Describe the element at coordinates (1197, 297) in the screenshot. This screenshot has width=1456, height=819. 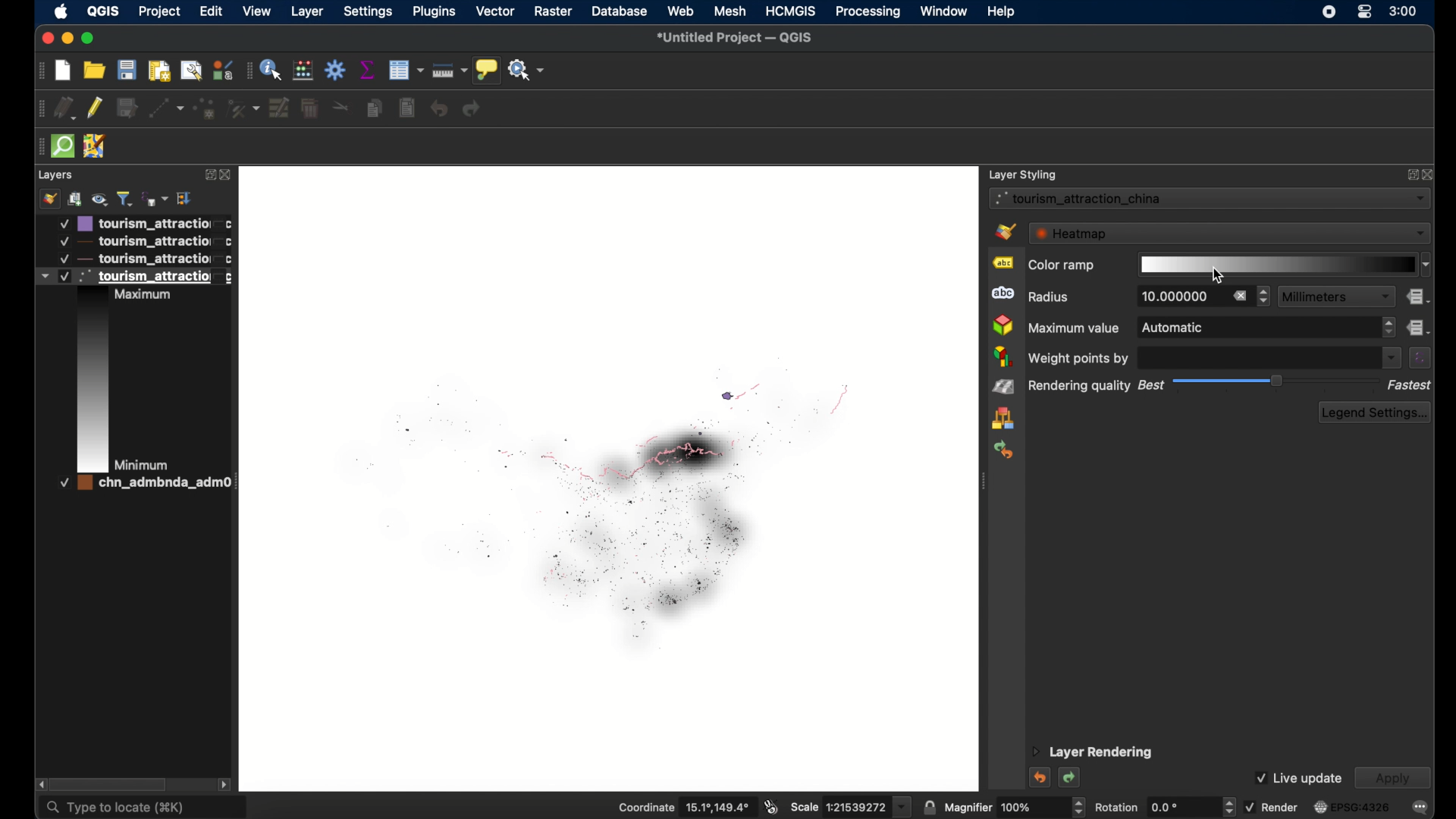
I see `radius stepper buttons` at that location.